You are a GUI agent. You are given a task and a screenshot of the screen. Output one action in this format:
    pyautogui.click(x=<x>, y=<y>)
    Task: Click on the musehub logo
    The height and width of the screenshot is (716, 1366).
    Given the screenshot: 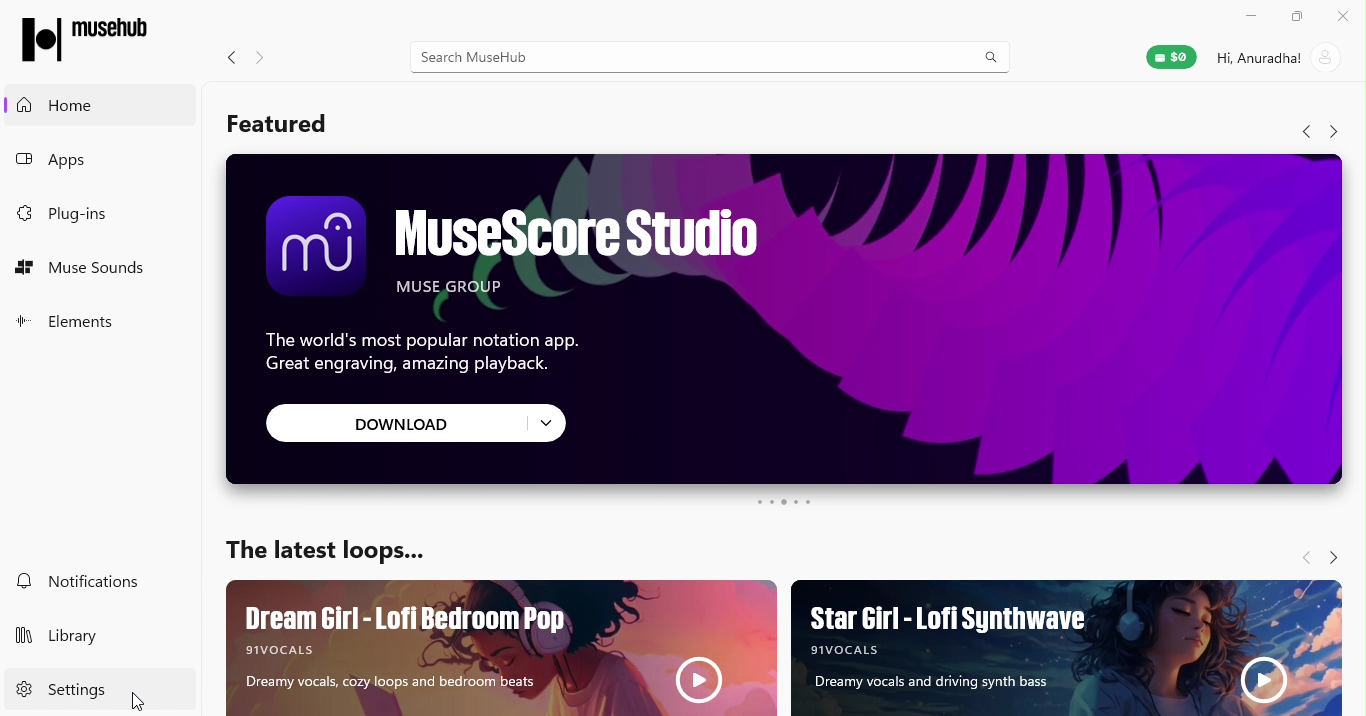 What is the action you would take?
    pyautogui.click(x=106, y=36)
    